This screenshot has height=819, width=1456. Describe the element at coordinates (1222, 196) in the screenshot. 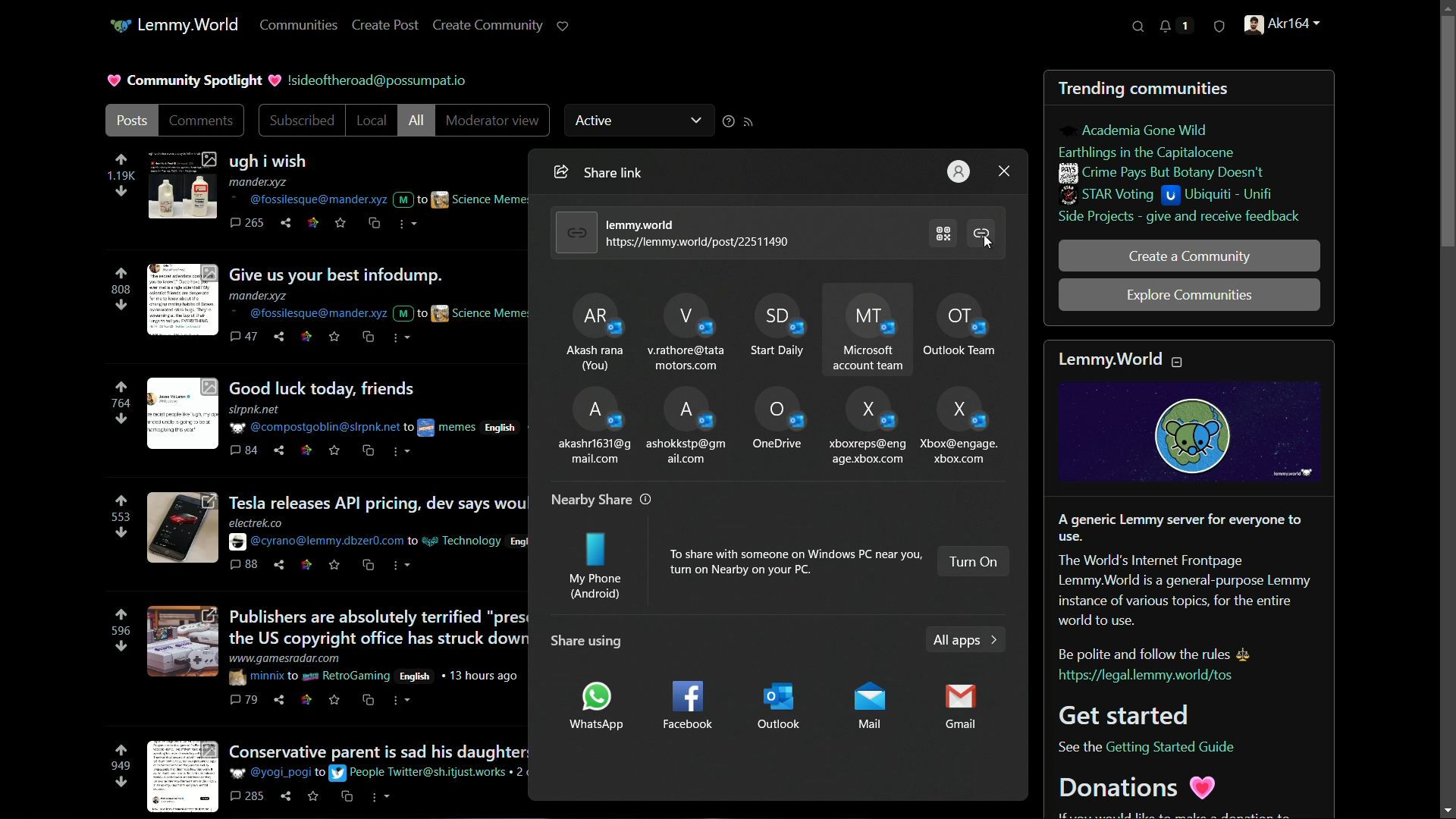

I see `ubiquiti - unifi` at that location.